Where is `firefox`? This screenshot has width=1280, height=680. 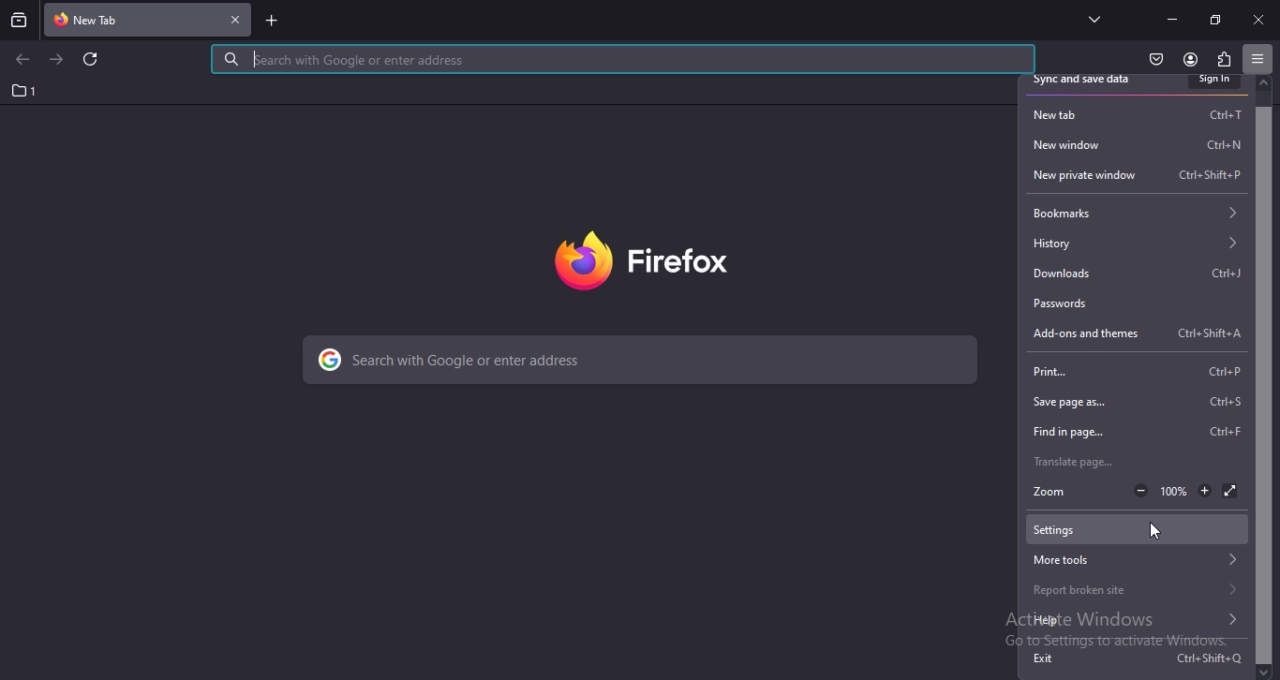 firefox is located at coordinates (652, 264).